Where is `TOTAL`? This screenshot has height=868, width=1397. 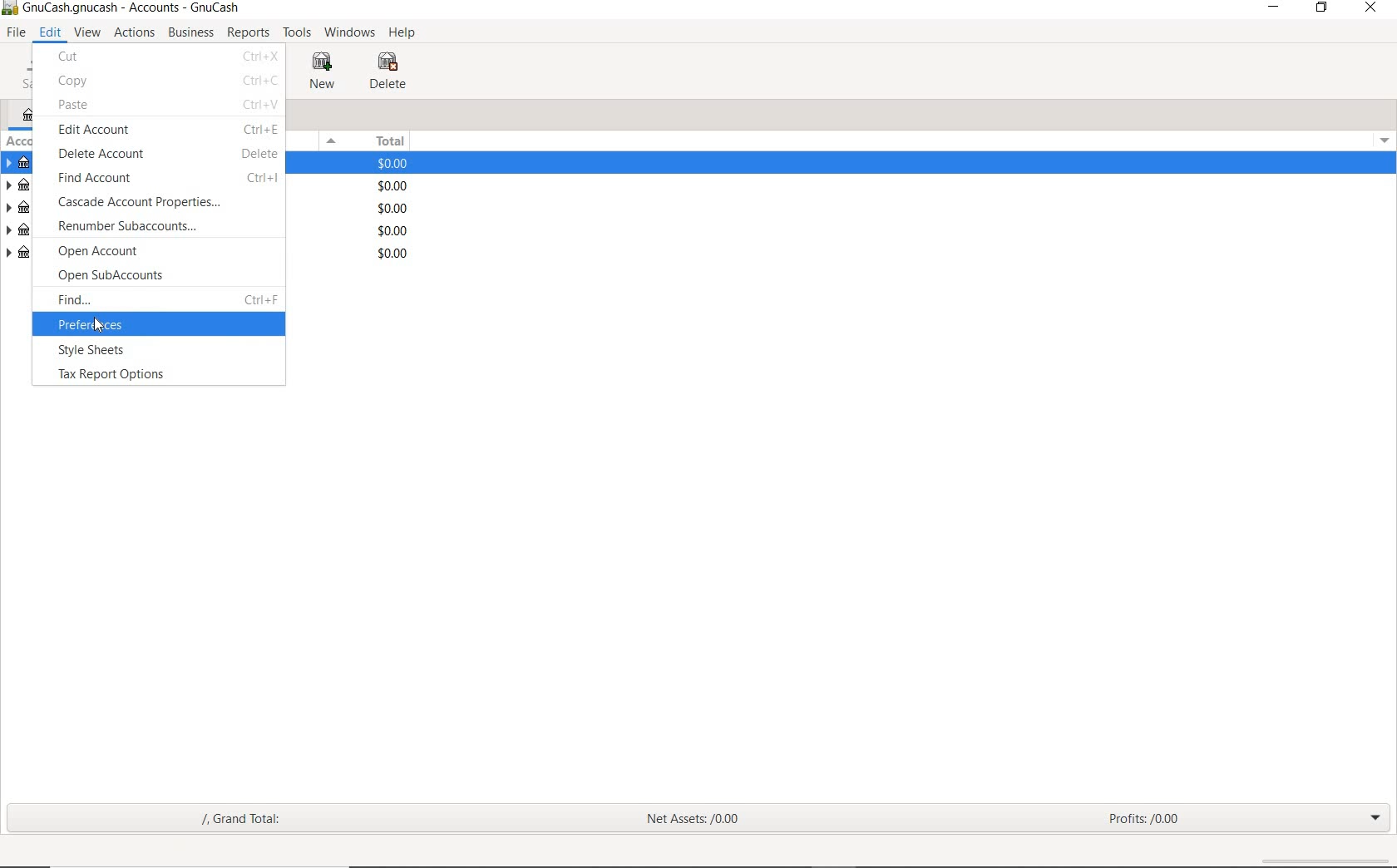
TOTAL is located at coordinates (391, 143).